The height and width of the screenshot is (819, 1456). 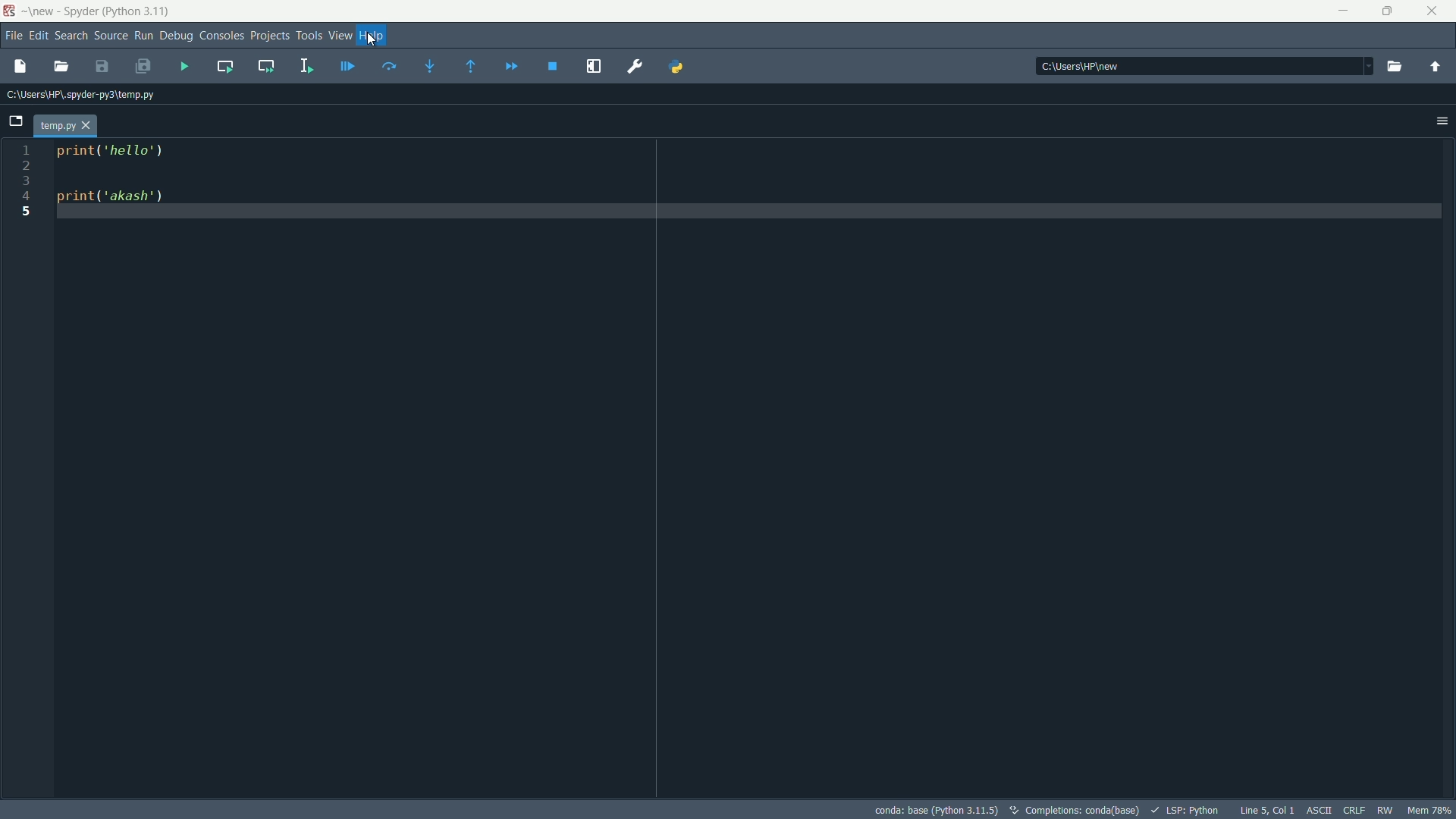 What do you see at coordinates (89, 125) in the screenshot?
I see `close` at bounding box center [89, 125].